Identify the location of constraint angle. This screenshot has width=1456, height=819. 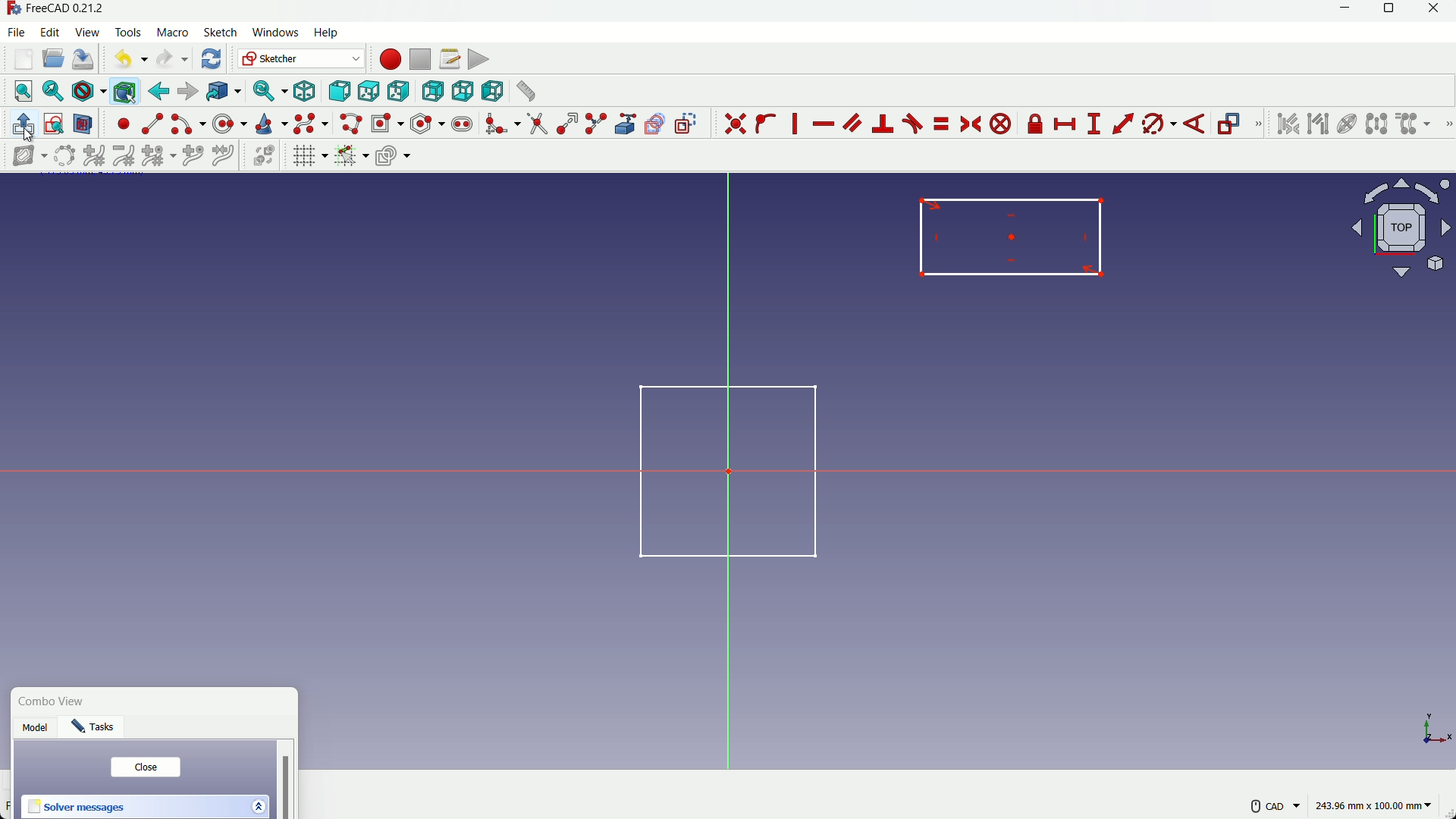
(1196, 125).